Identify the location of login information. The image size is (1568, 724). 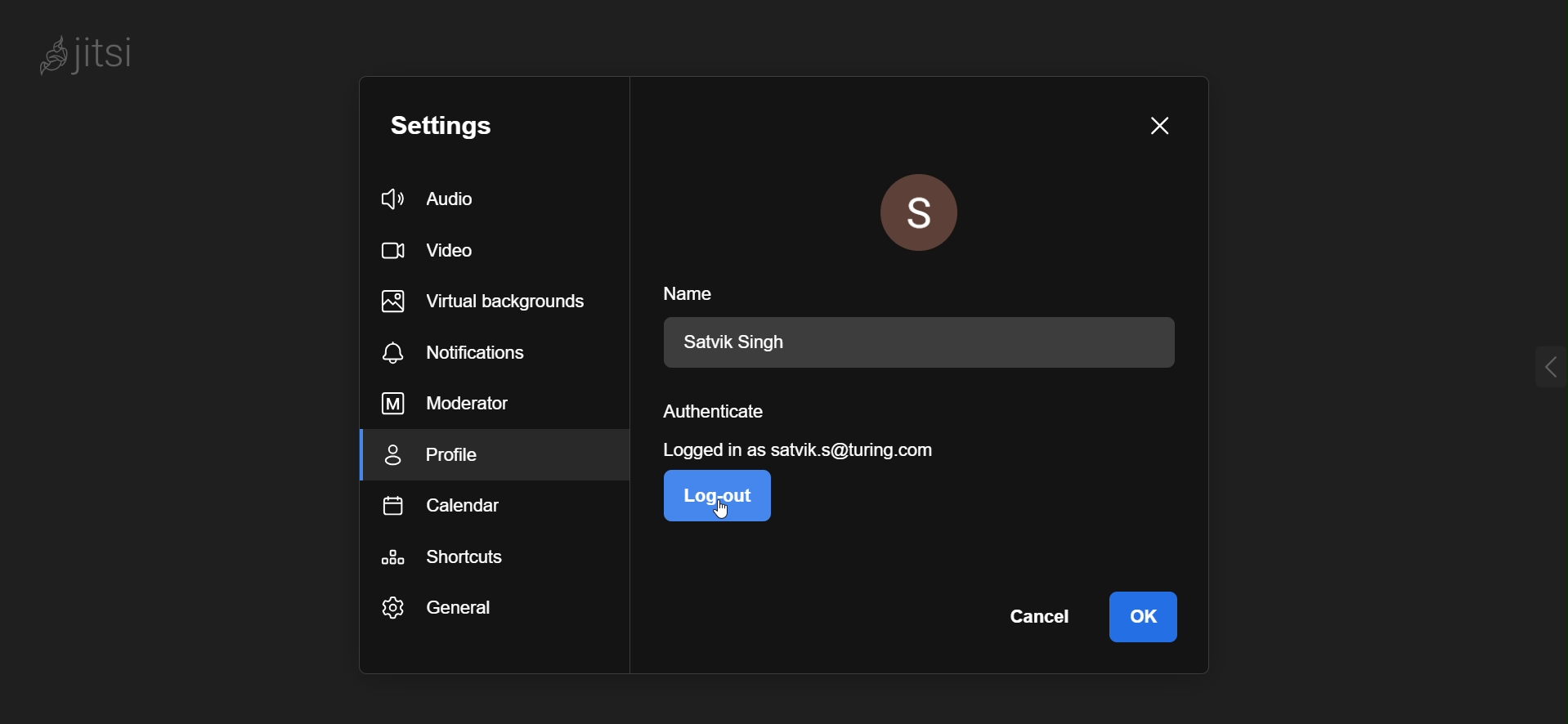
(807, 454).